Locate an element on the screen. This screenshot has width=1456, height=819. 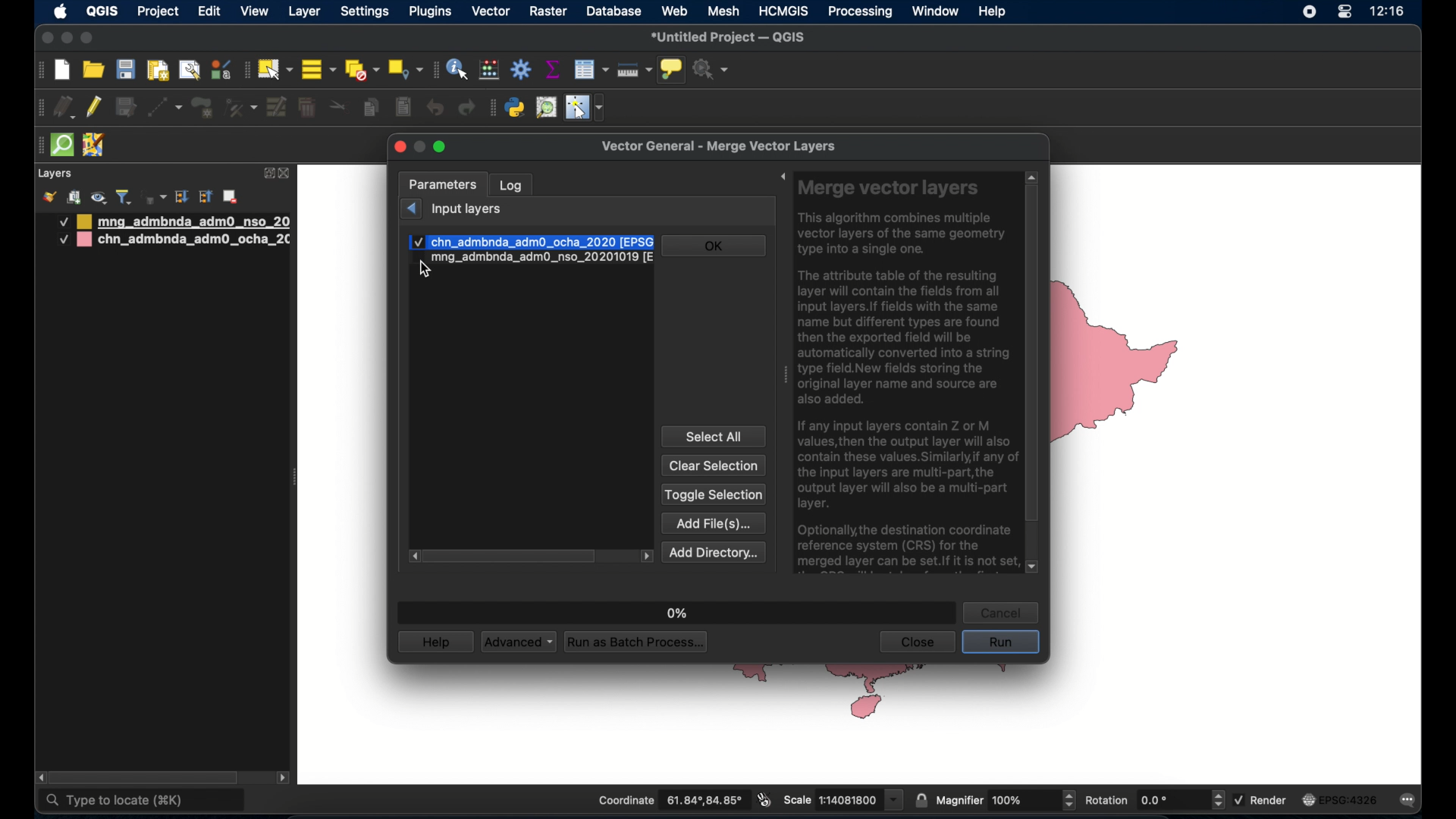
project is located at coordinates (159, 13).